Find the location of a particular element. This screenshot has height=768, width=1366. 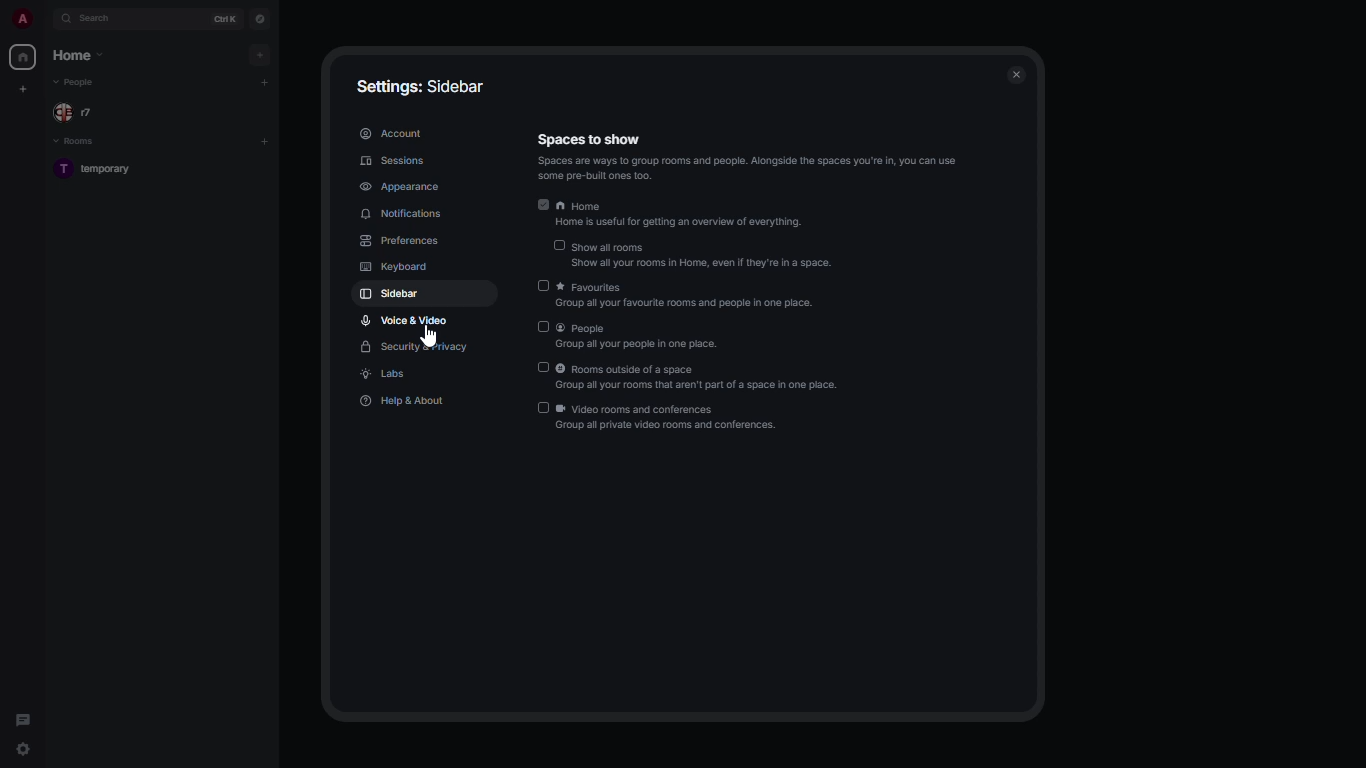

threads is located at coordinates (24, 718).